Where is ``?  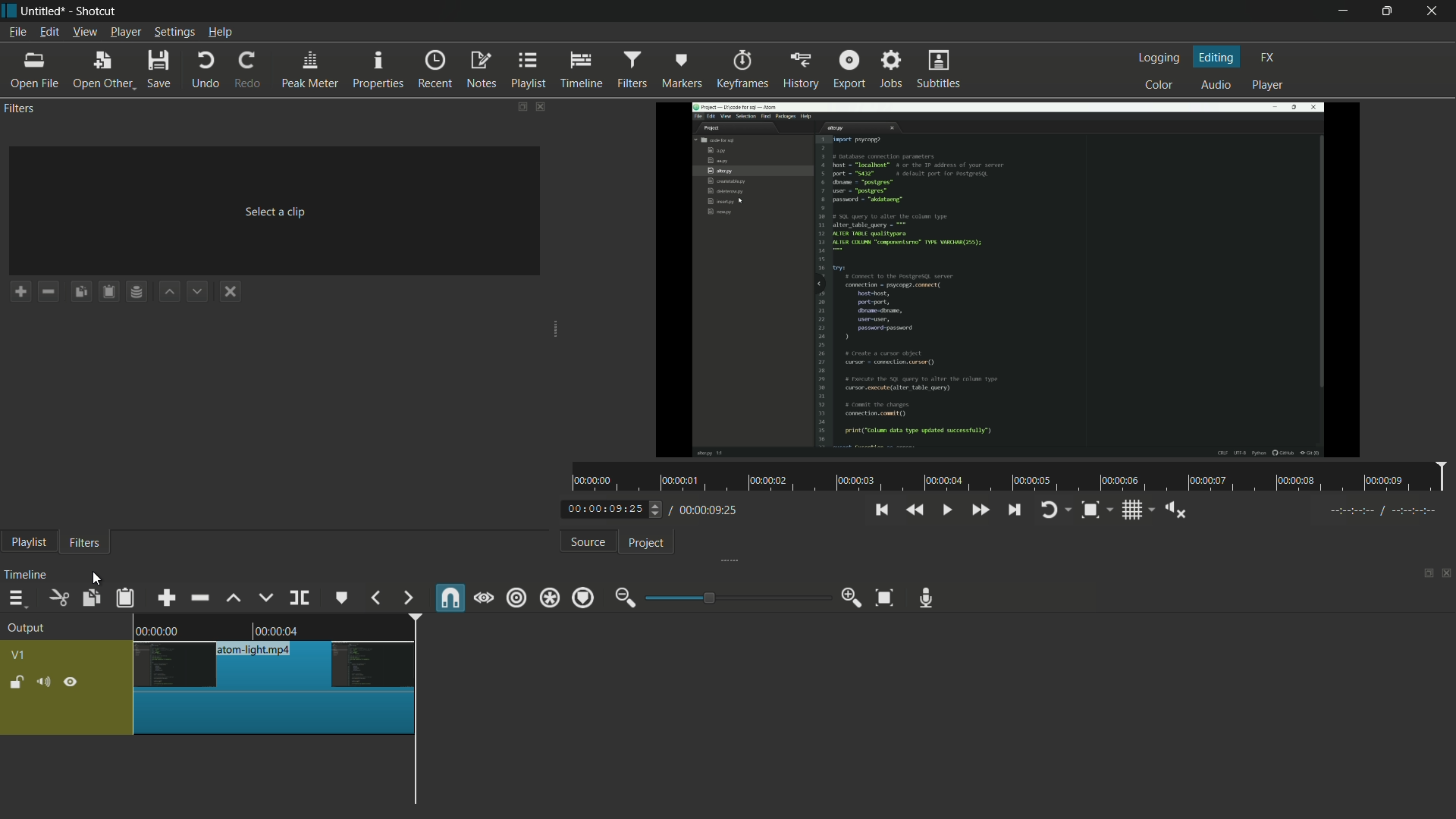  is located at coordinates (274, 213).